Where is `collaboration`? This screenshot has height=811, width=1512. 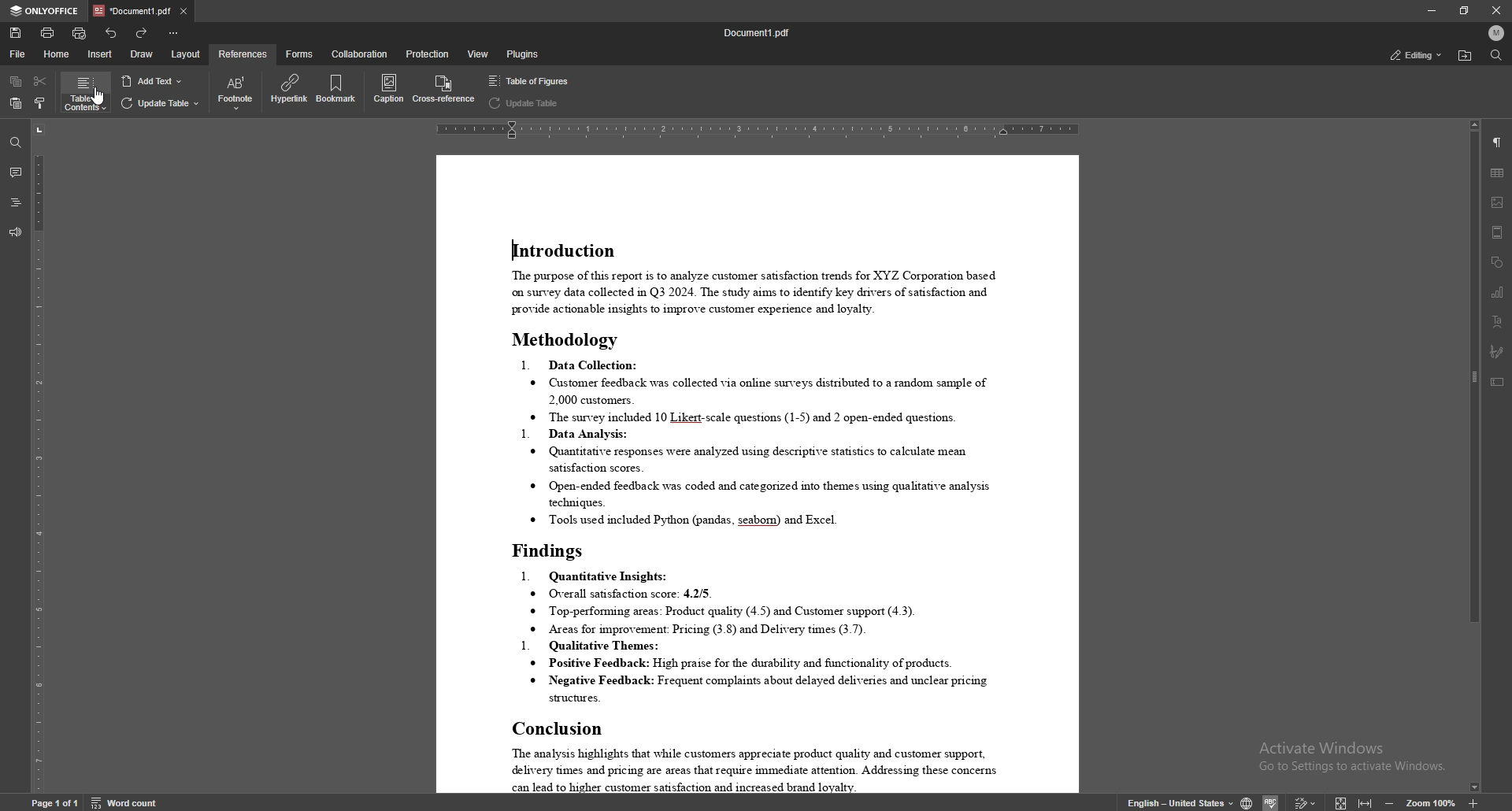 collaboration is located at coordinates (361, 54).